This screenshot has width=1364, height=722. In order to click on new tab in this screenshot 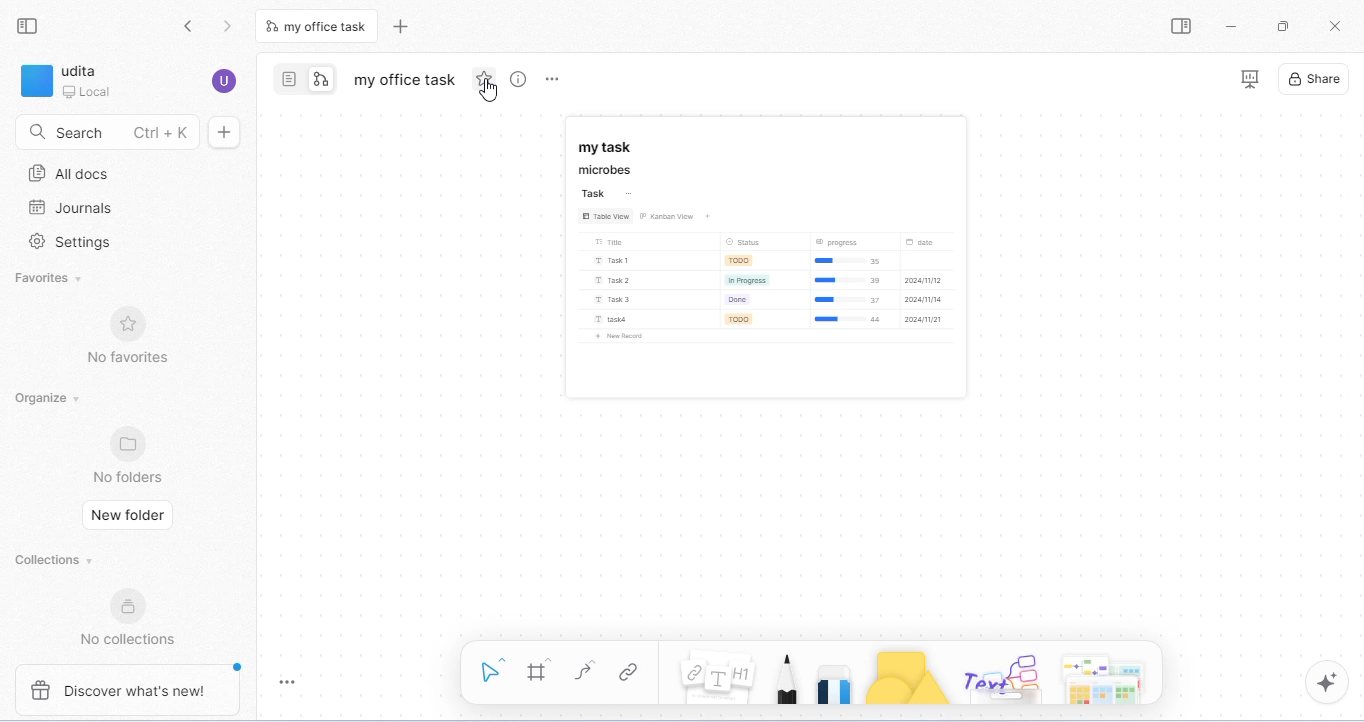, I will do `click(401, 24)`.